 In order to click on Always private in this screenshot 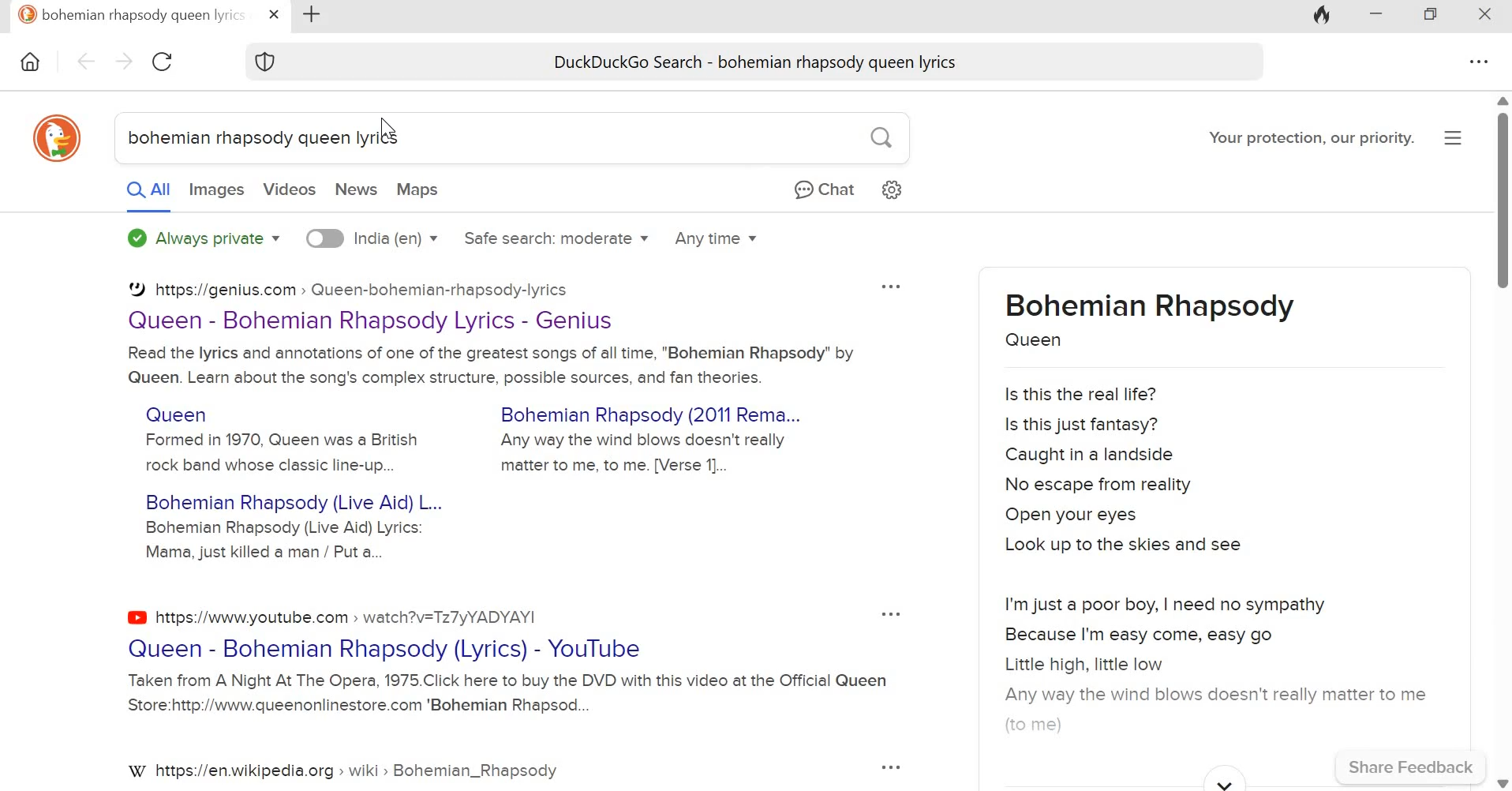, I will do `click(201, 236)`.